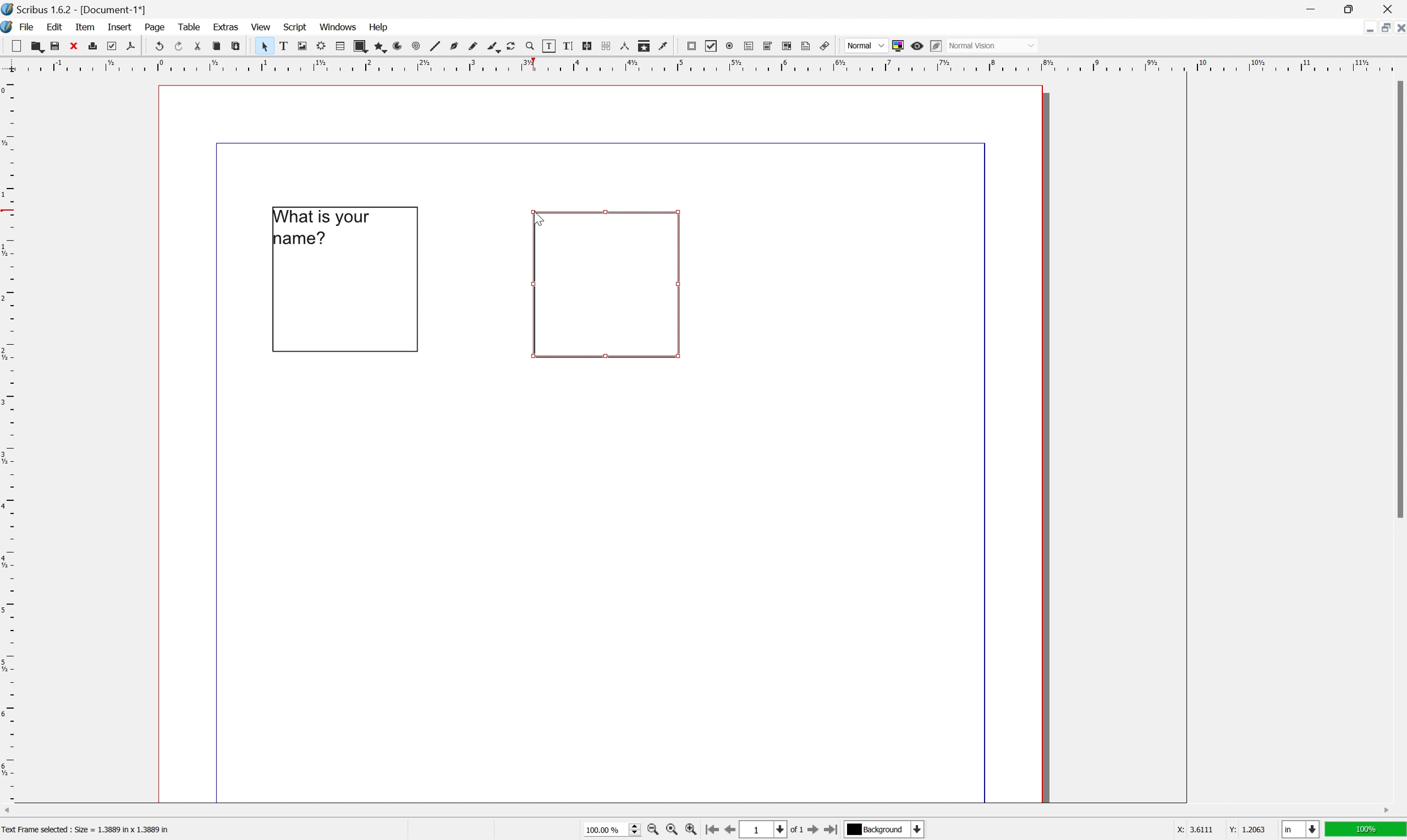 The height and width of the screenshot is (840, 1407). What do you see at coordinates (94, 830) in the screenshot?
I see `text frame selected, size = 1..389 inch x 1.3889 inch` at bounding box center [94, 830].